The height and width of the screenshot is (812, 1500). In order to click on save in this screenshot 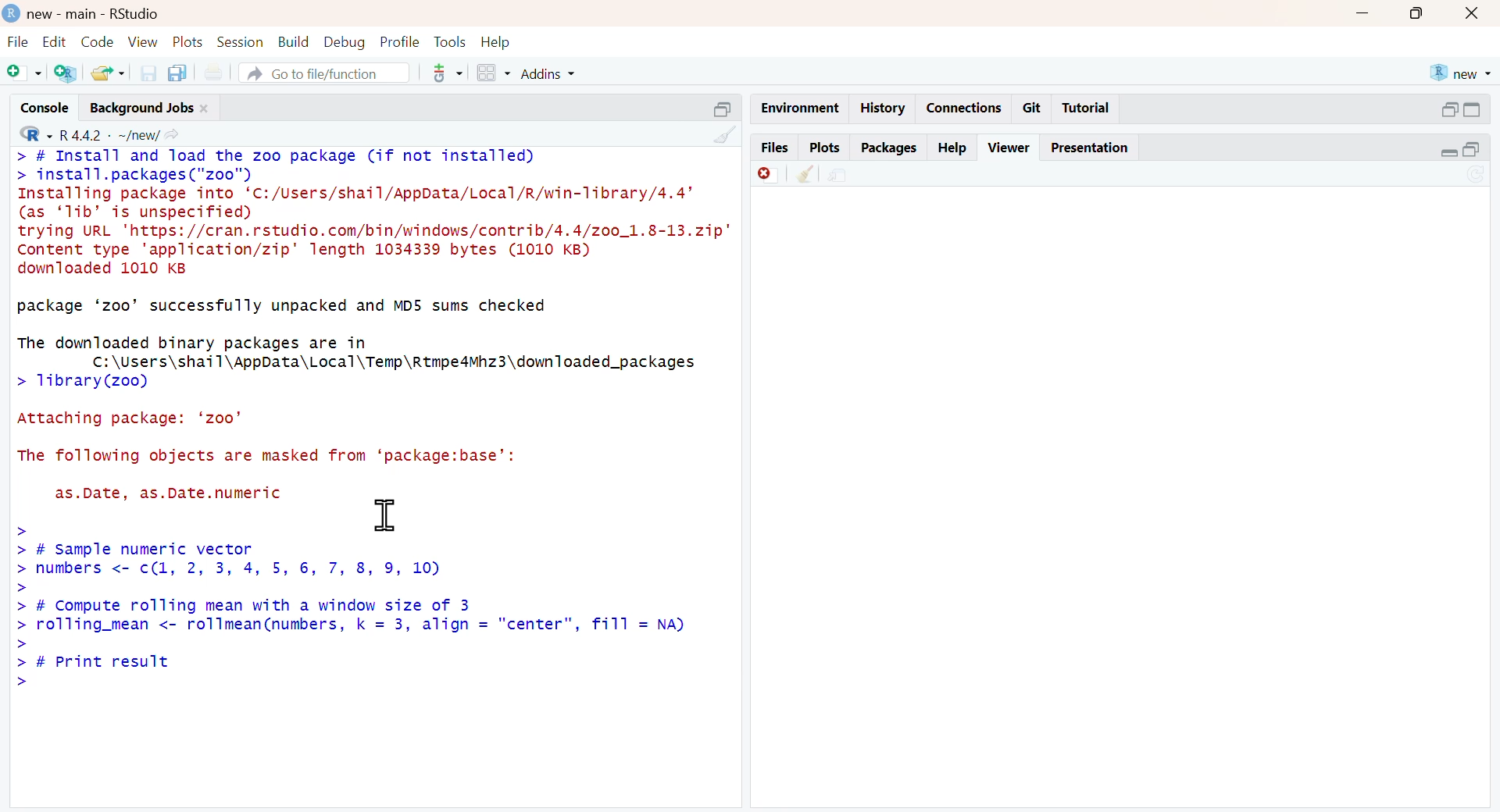, I will do `click(149, 73)`.